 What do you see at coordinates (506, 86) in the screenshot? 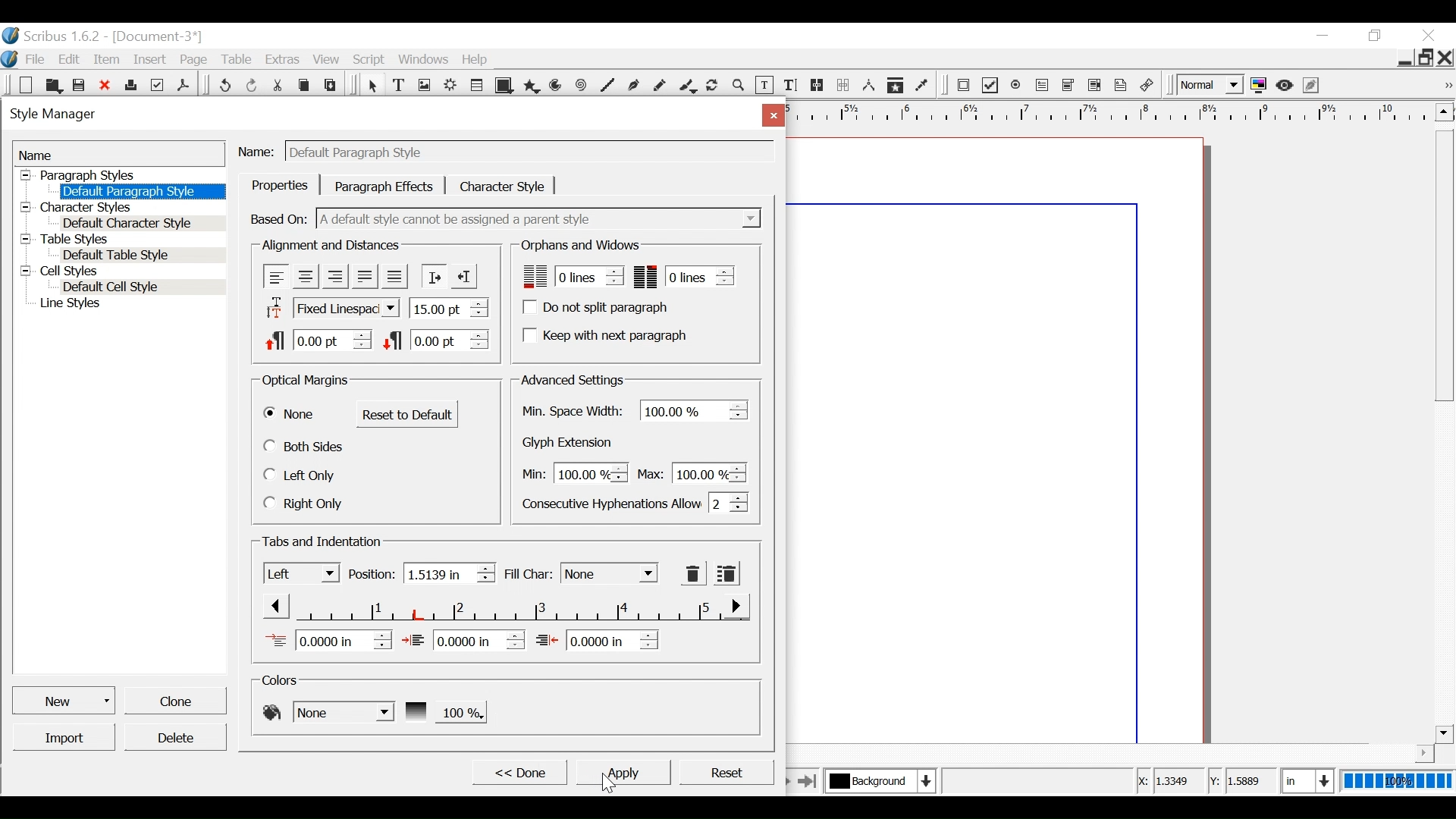
I see `Shape ` at bounding box center [506, 86].